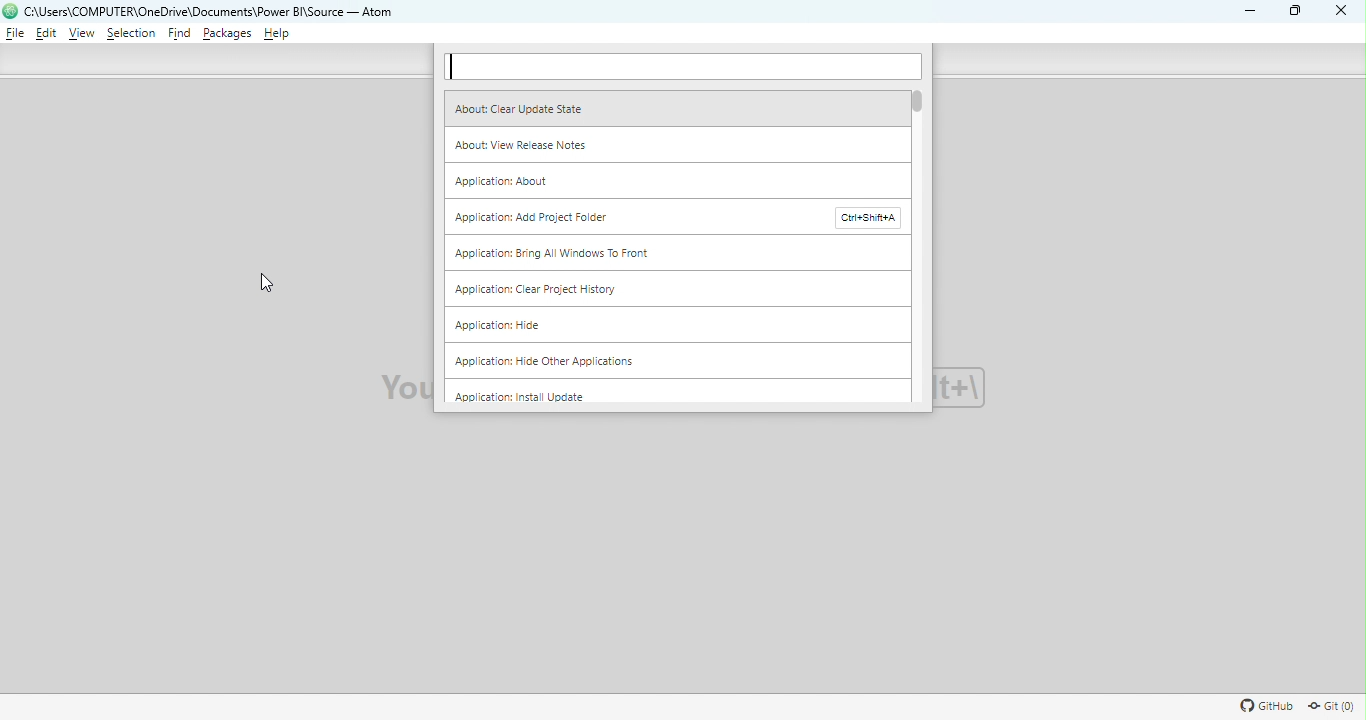  I want to click on Search bar, so click(691, 66).